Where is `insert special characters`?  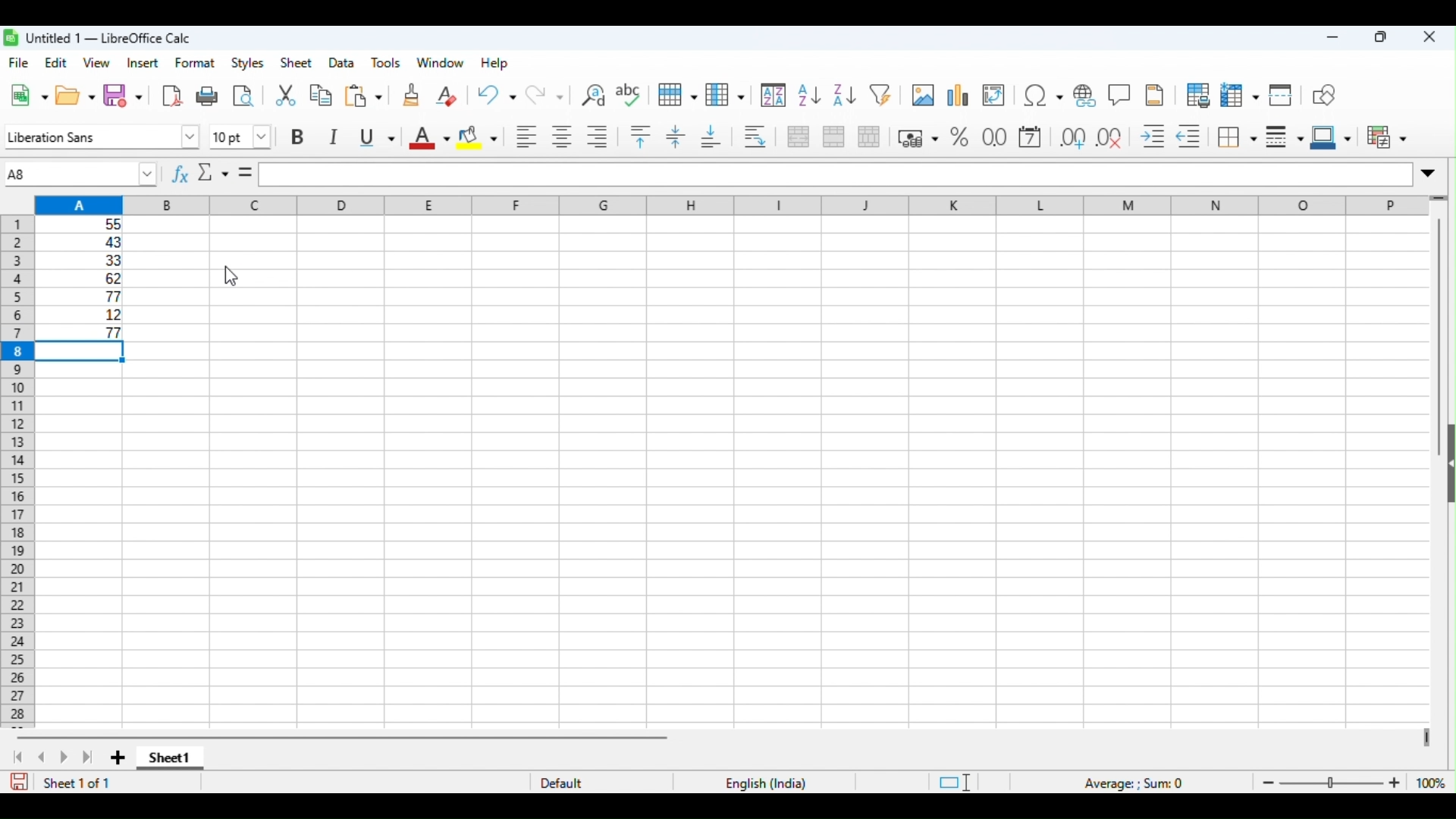
insert special characters is located at coordinates (1042, 93).